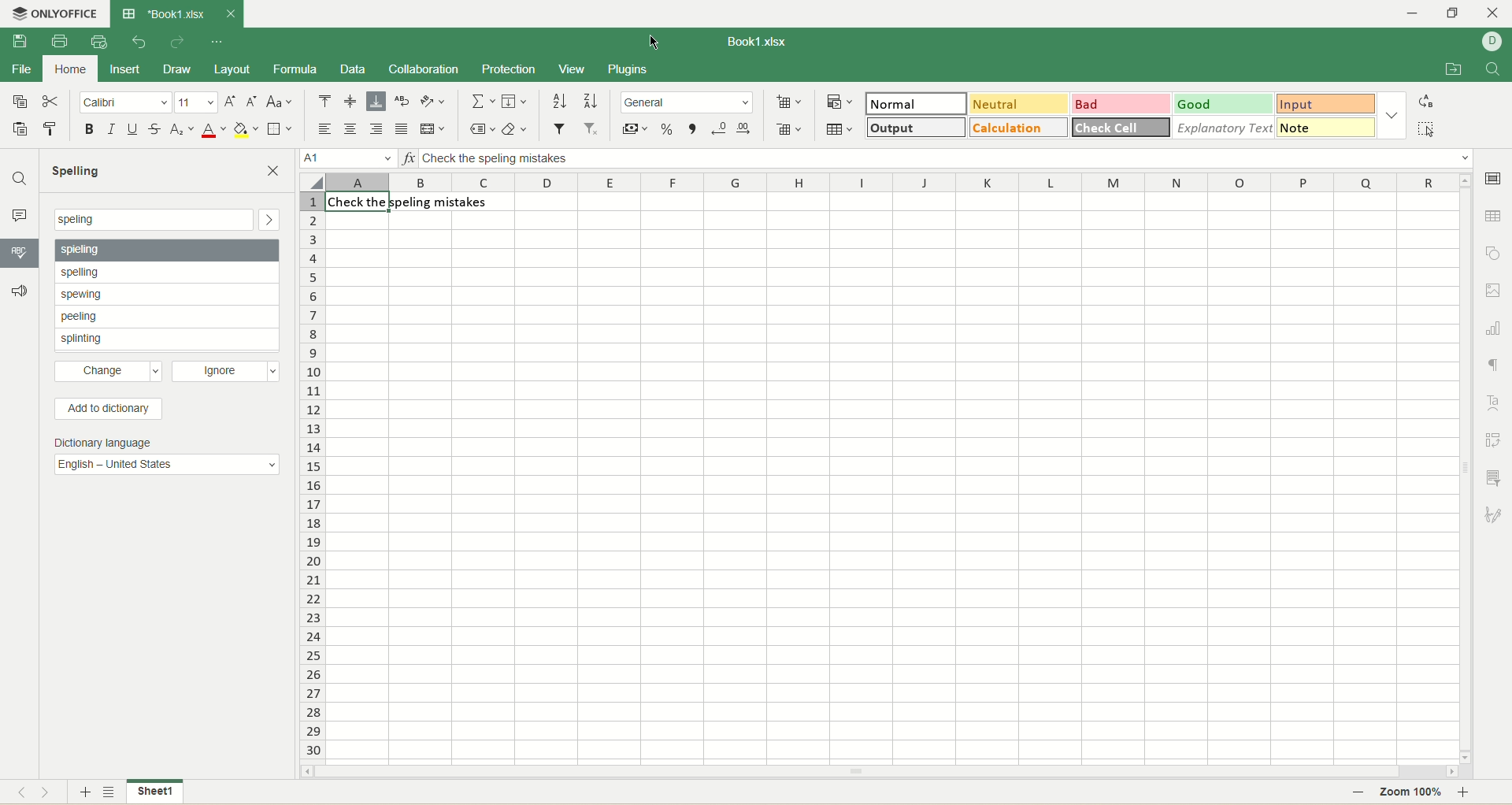  I want to click on maximize, so click(1455, 14).